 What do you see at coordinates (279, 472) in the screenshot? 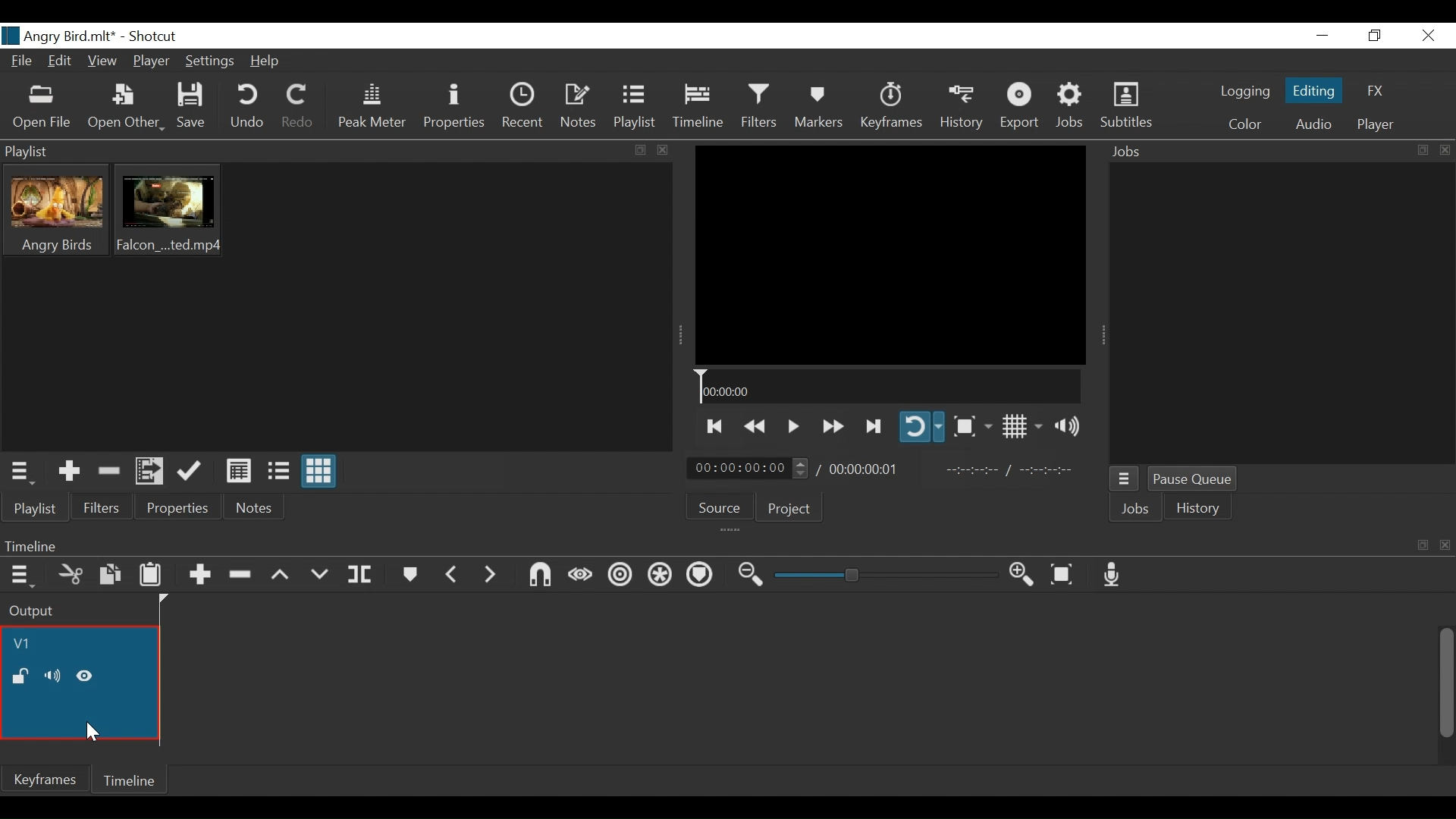
I see `View as files` at bounding box center [279, 472].